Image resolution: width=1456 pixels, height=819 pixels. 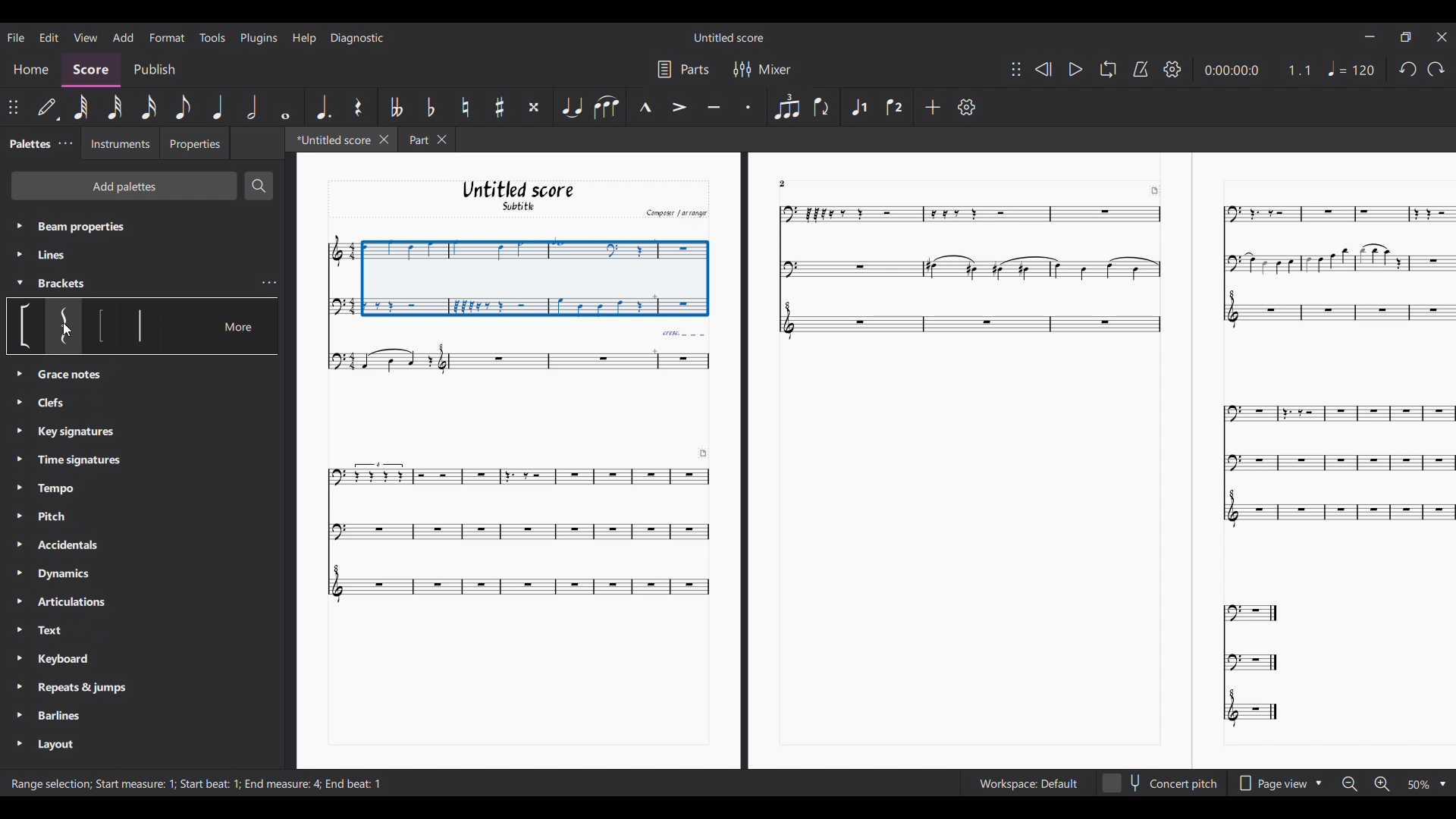 What do you see at coordinates (357, 38) in the screenshot?
I see `Diagnostic` at bounding box center [357, 38].